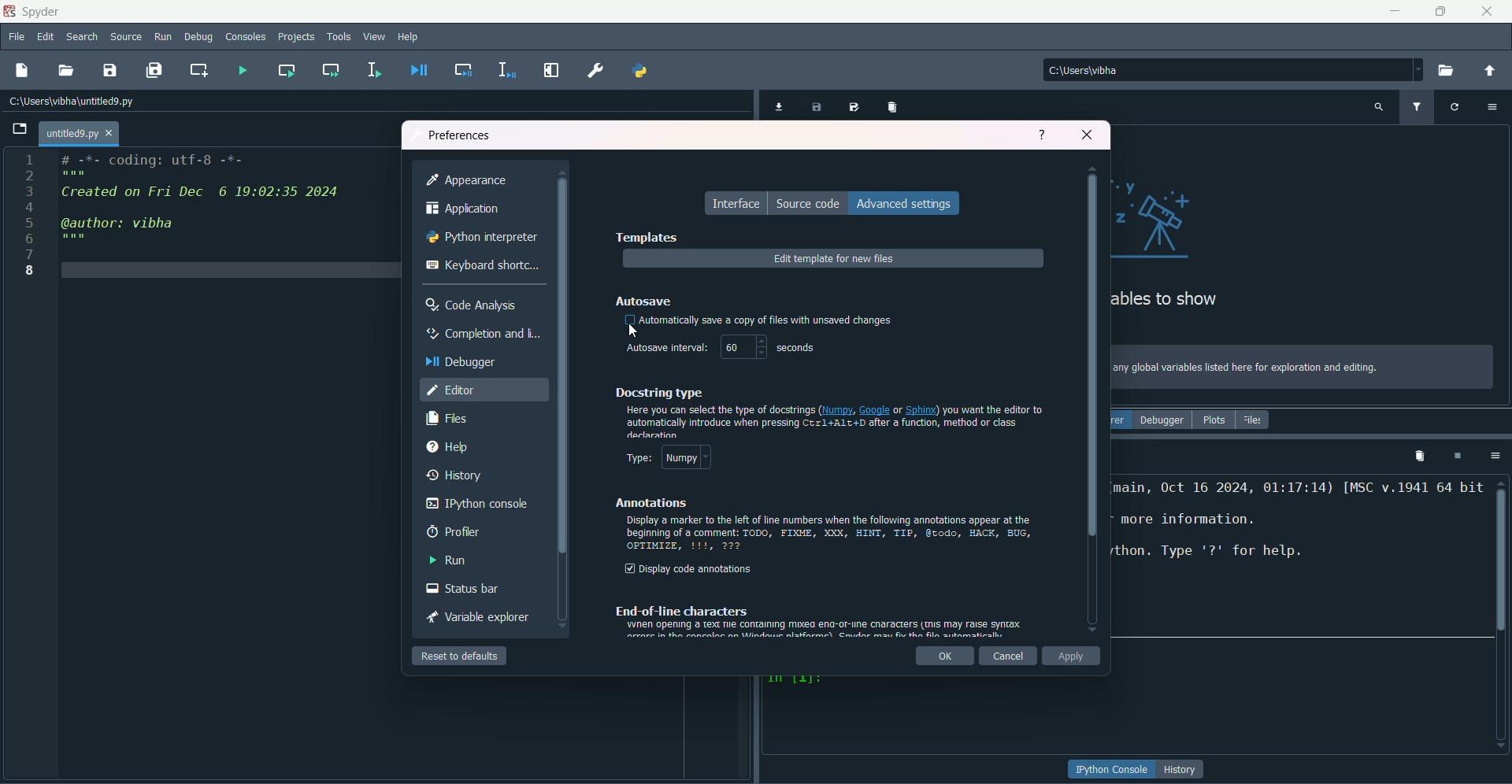 Image resolution: width=1512 pixels, height=784 pixels. What do you see at coordinates (1417, 455) in the screenshot?
I see `remove all` at bounding box center [1417, 455].